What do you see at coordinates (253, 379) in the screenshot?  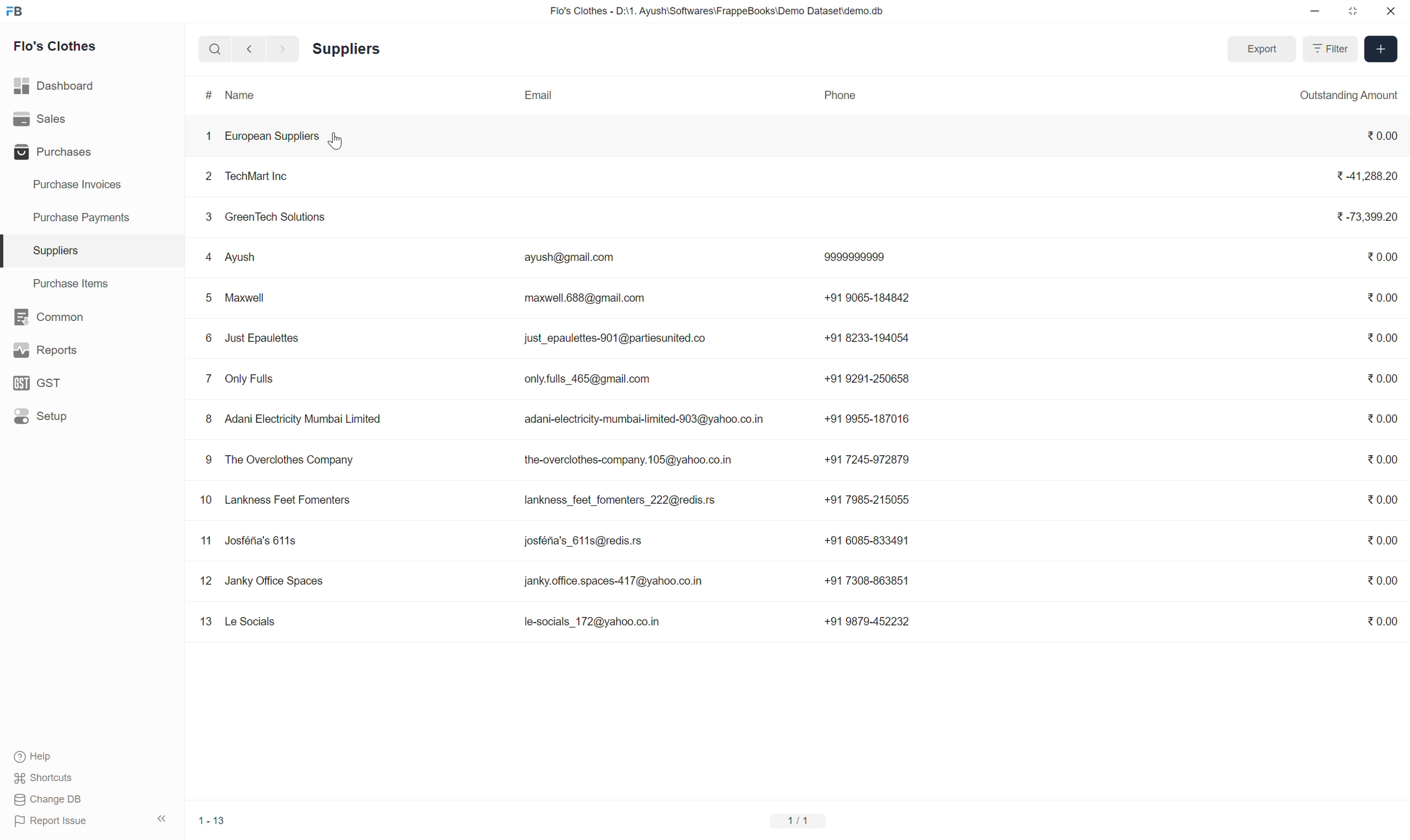 I see `Only Fulls` at bounding box center [253, 379].